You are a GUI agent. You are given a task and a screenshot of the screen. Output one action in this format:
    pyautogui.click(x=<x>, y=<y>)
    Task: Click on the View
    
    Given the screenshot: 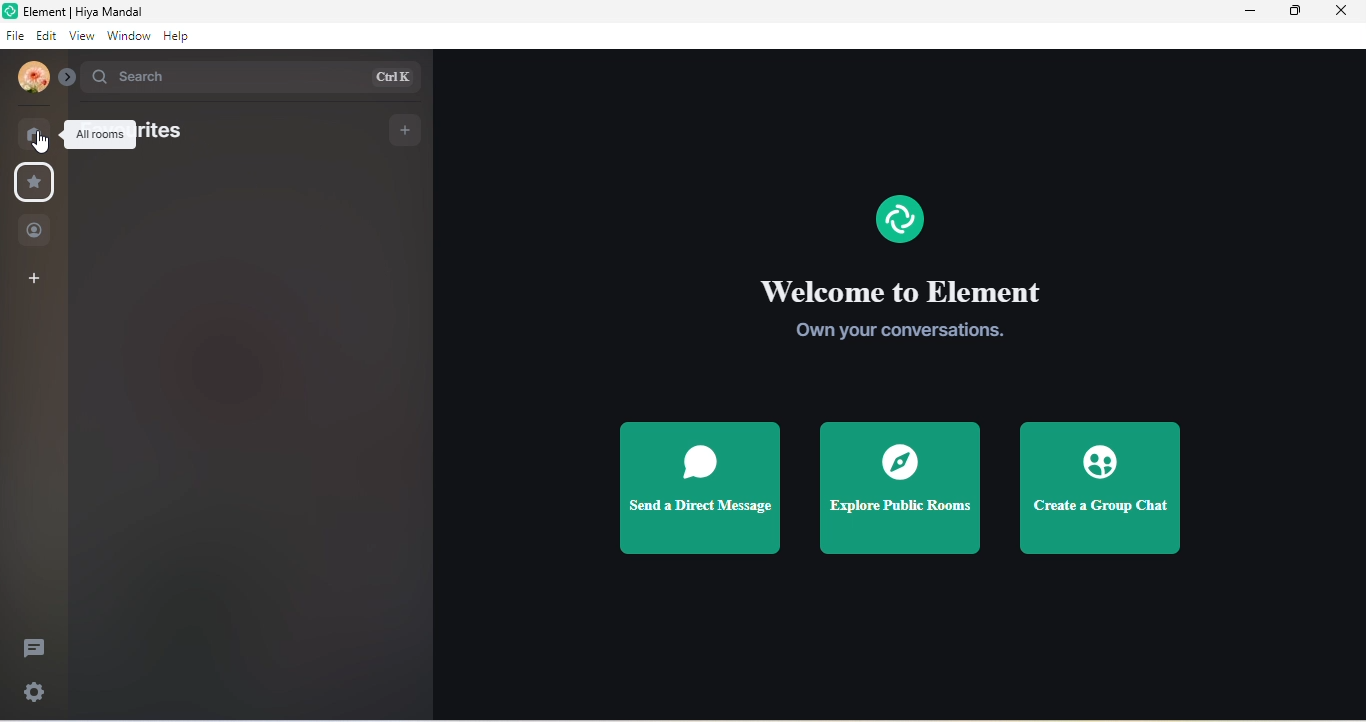 What is the action you would take?
    pyautogui.click(x=81, y=35)
    